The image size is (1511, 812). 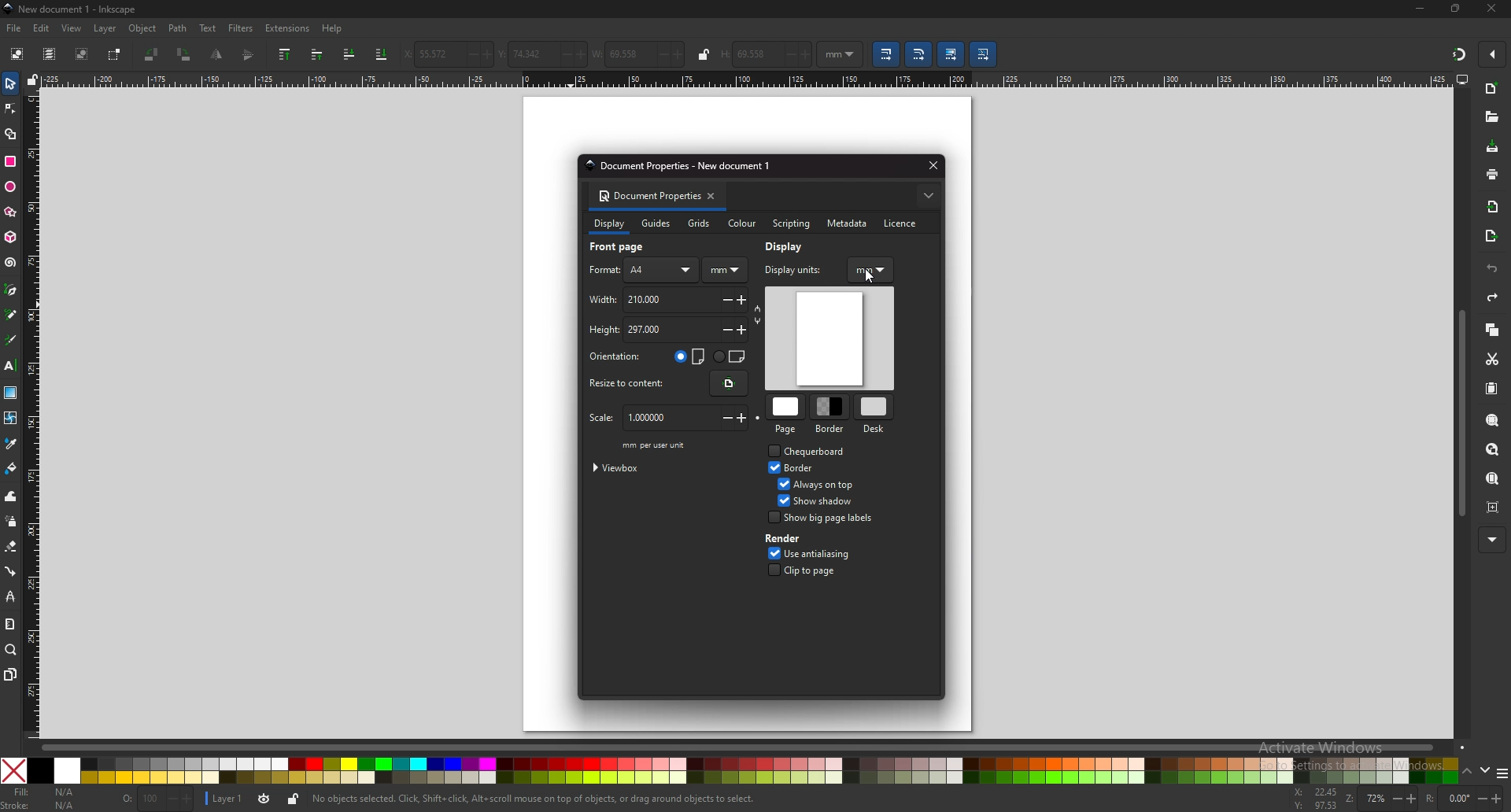 I want to click on deselect selected object, so click(x=82, y=54).